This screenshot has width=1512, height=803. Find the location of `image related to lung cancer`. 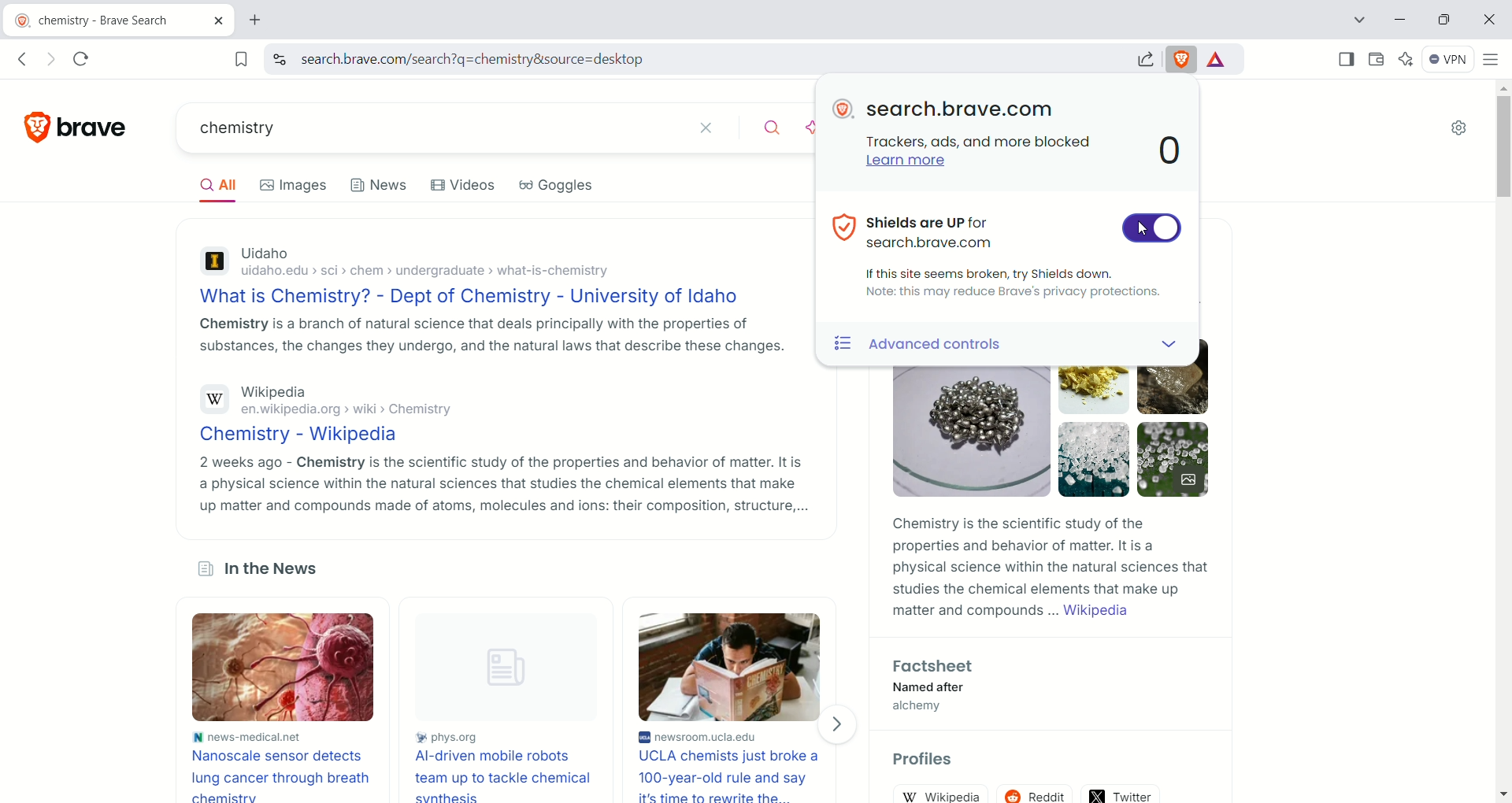

image related to lung cancer is located at coordinates (286, 667).